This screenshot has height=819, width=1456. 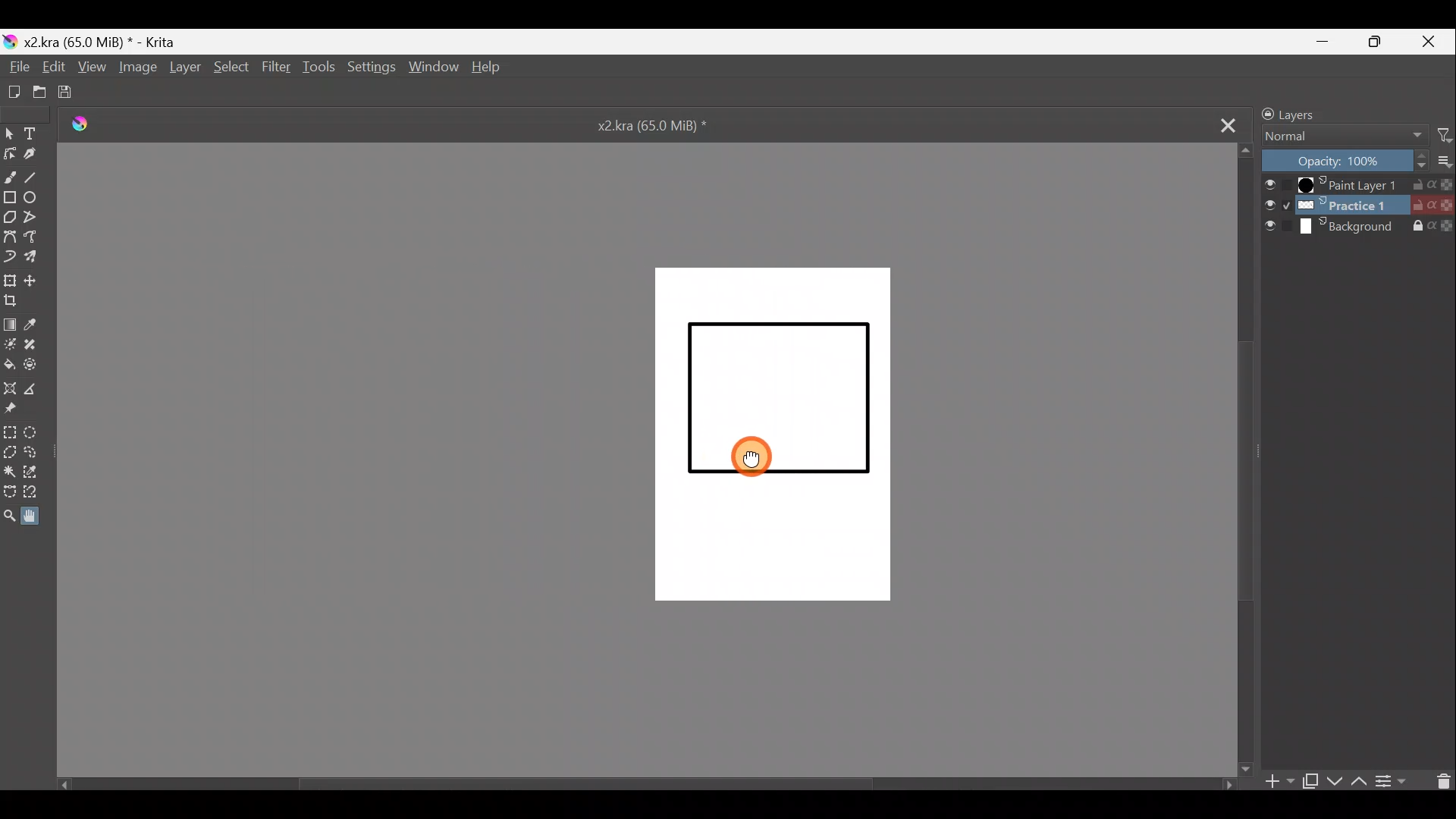 I want to click on Elliptical selection tool, so click(x=35, y=434).